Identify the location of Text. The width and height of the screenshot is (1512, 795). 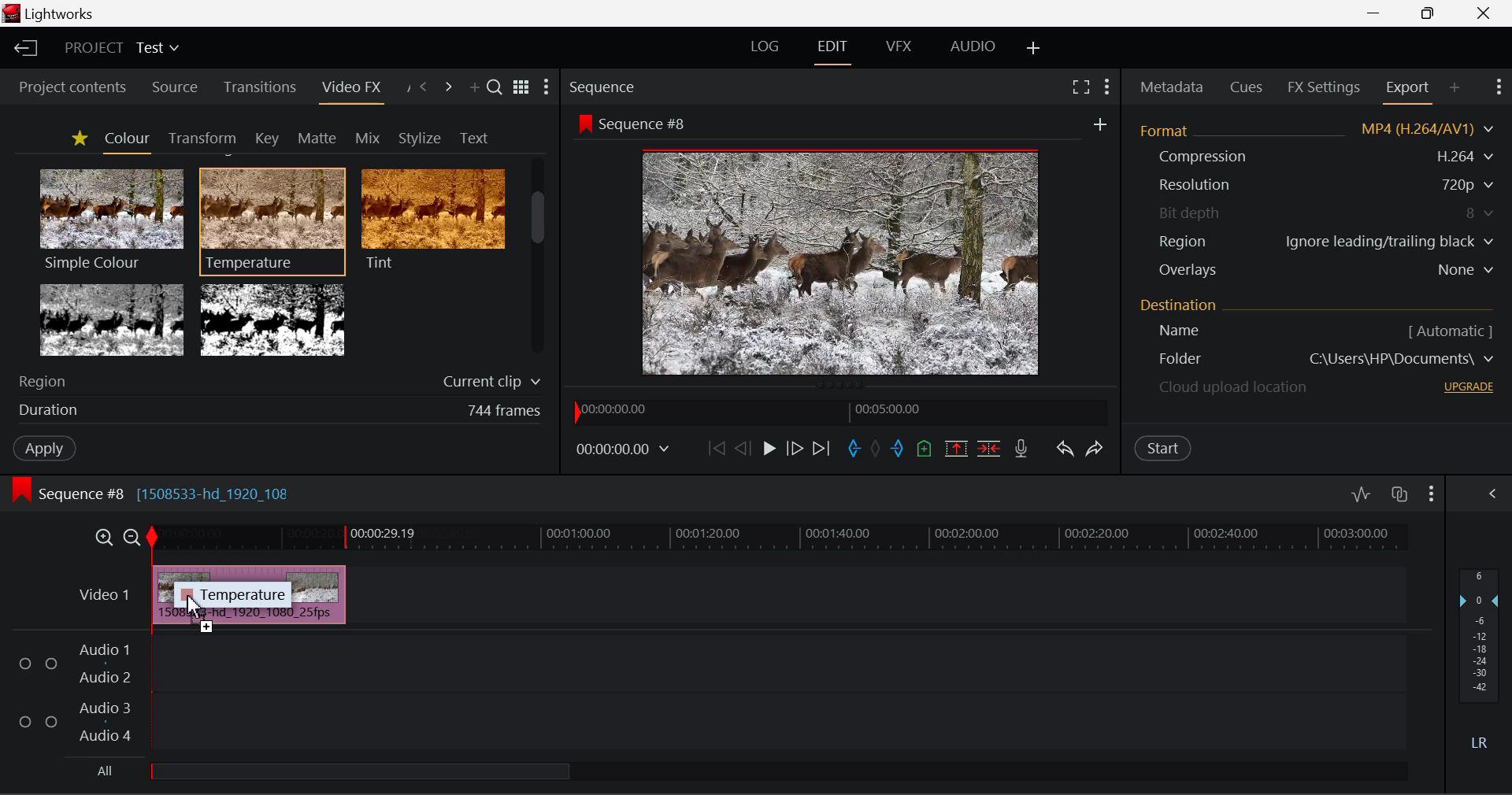
(471, 137).